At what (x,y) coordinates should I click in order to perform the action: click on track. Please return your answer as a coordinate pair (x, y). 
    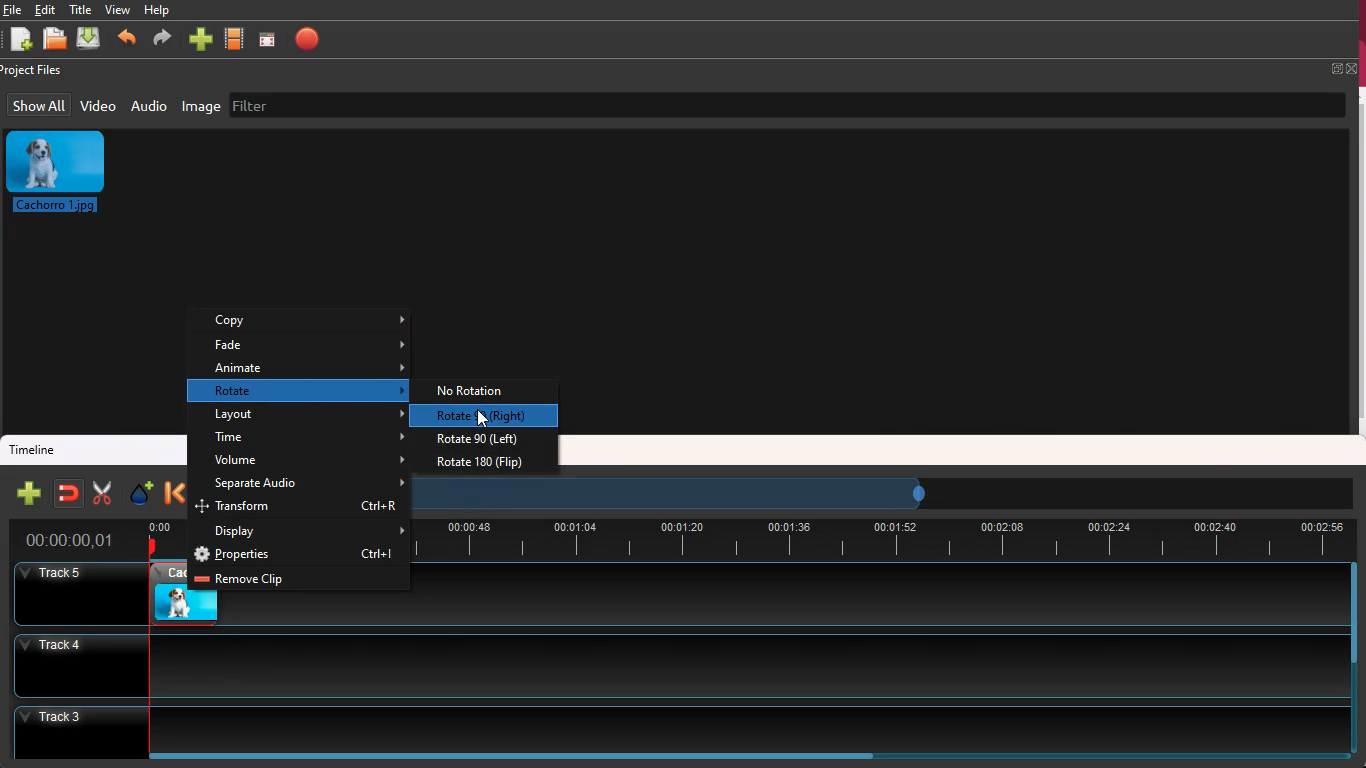
    Looking at the image, I should click on (874, 594).